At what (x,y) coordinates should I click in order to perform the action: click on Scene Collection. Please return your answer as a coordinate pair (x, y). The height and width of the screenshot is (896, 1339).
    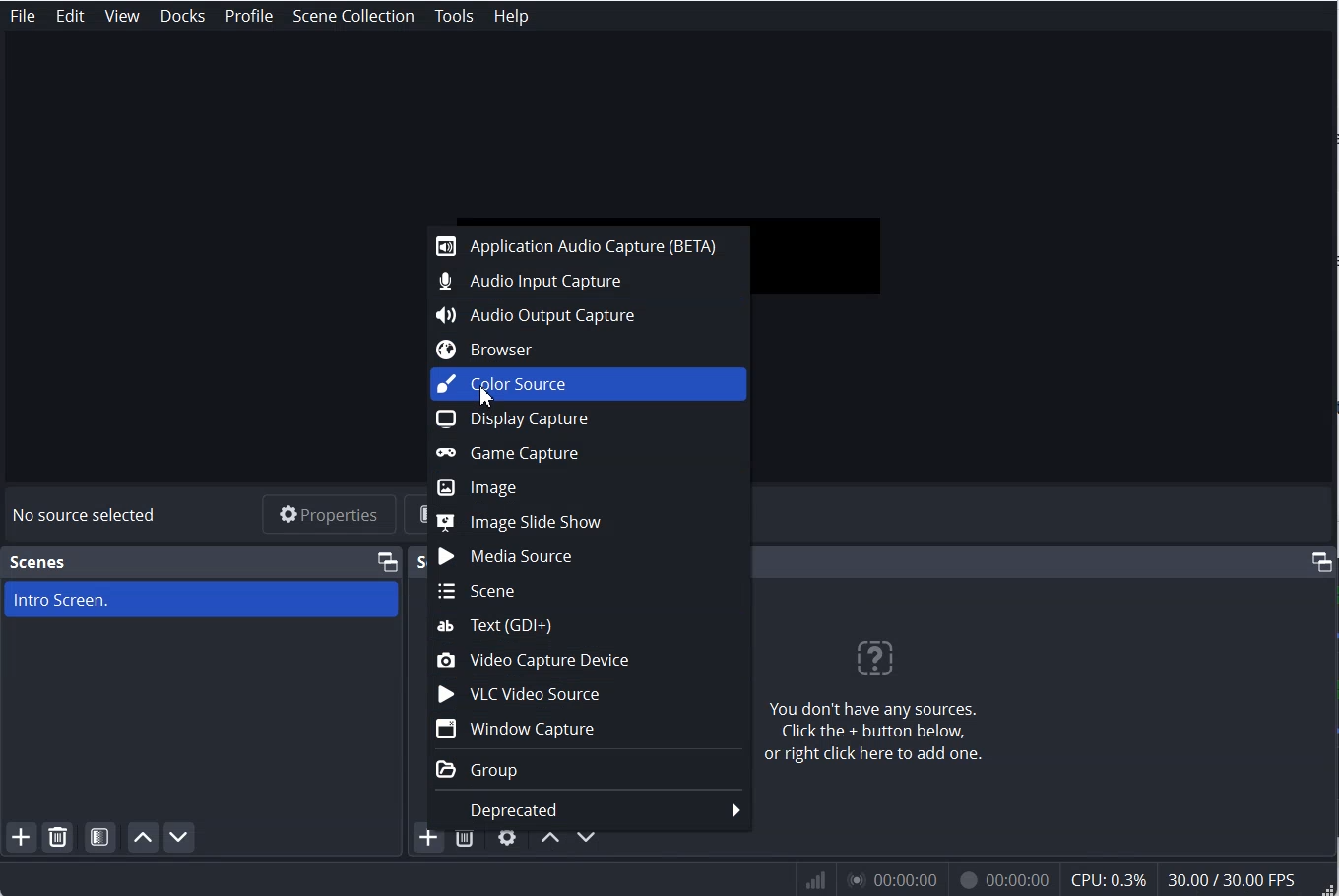
    Looking at the image, I should click on (355, 15).